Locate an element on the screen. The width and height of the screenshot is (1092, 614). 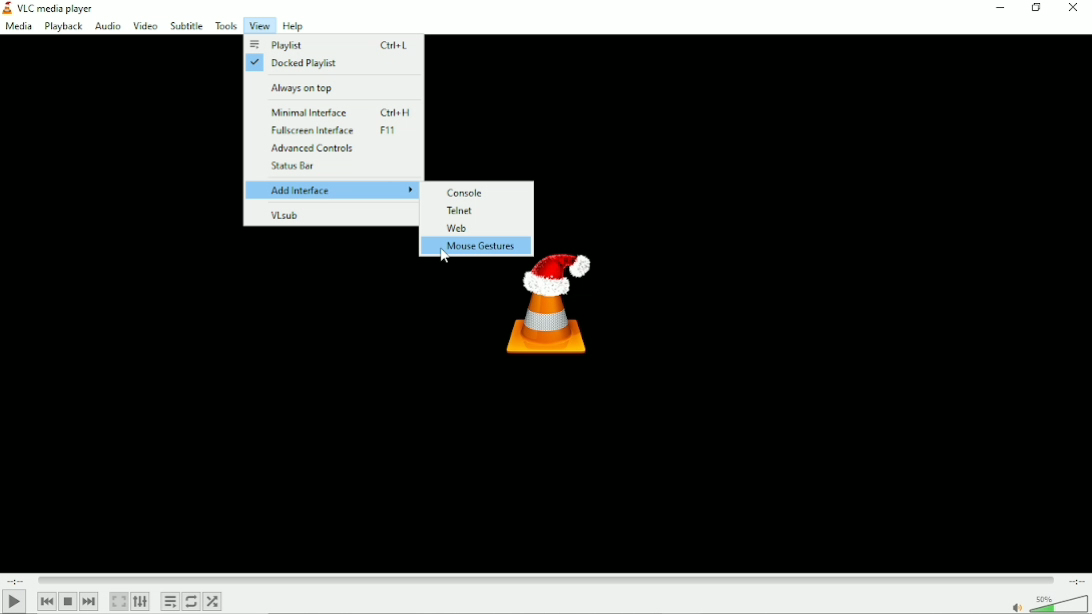
Video is located at coordinates (144, 26).